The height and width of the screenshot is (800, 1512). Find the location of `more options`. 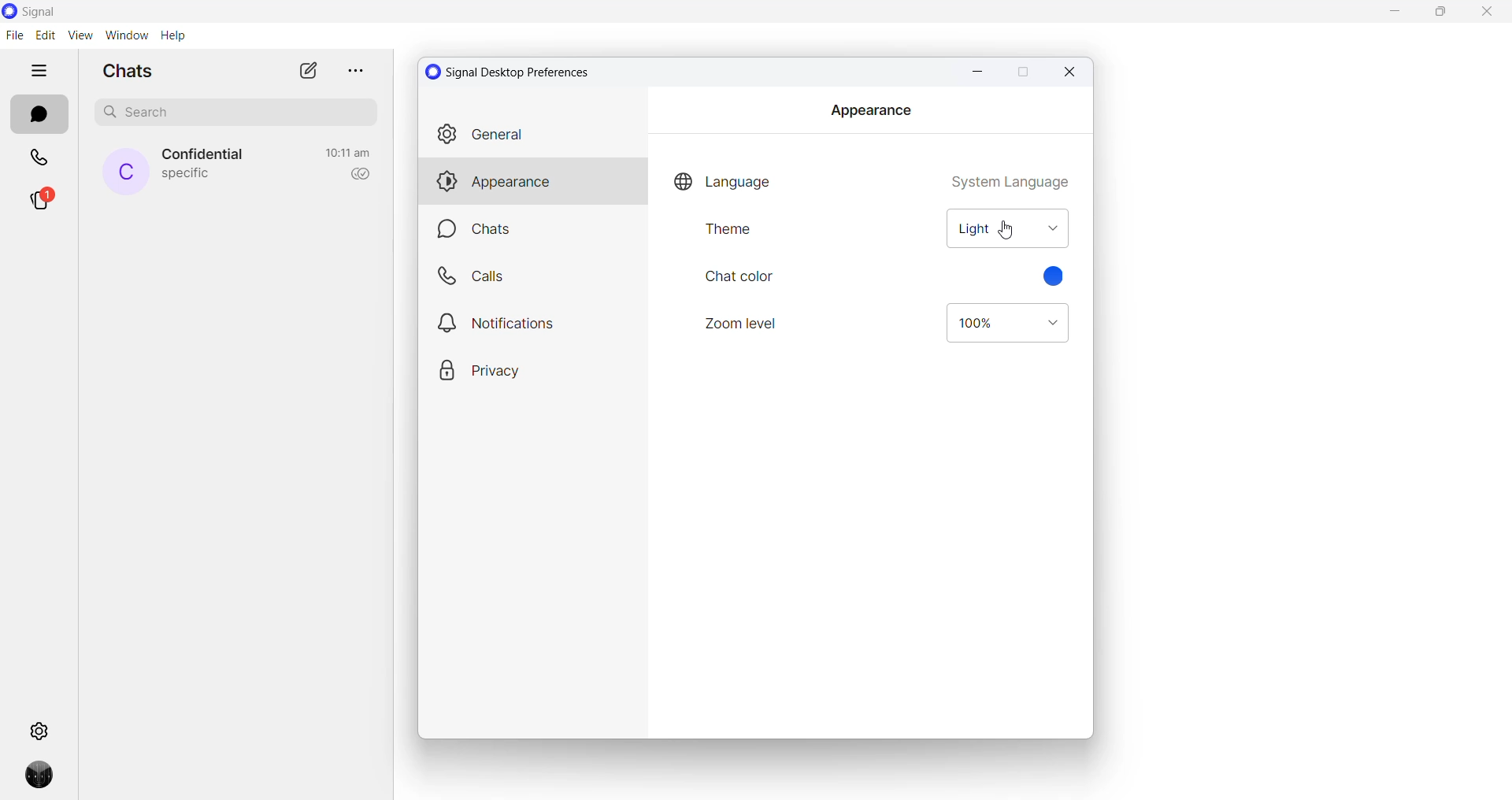

more options is located at coordinates (353, 70).